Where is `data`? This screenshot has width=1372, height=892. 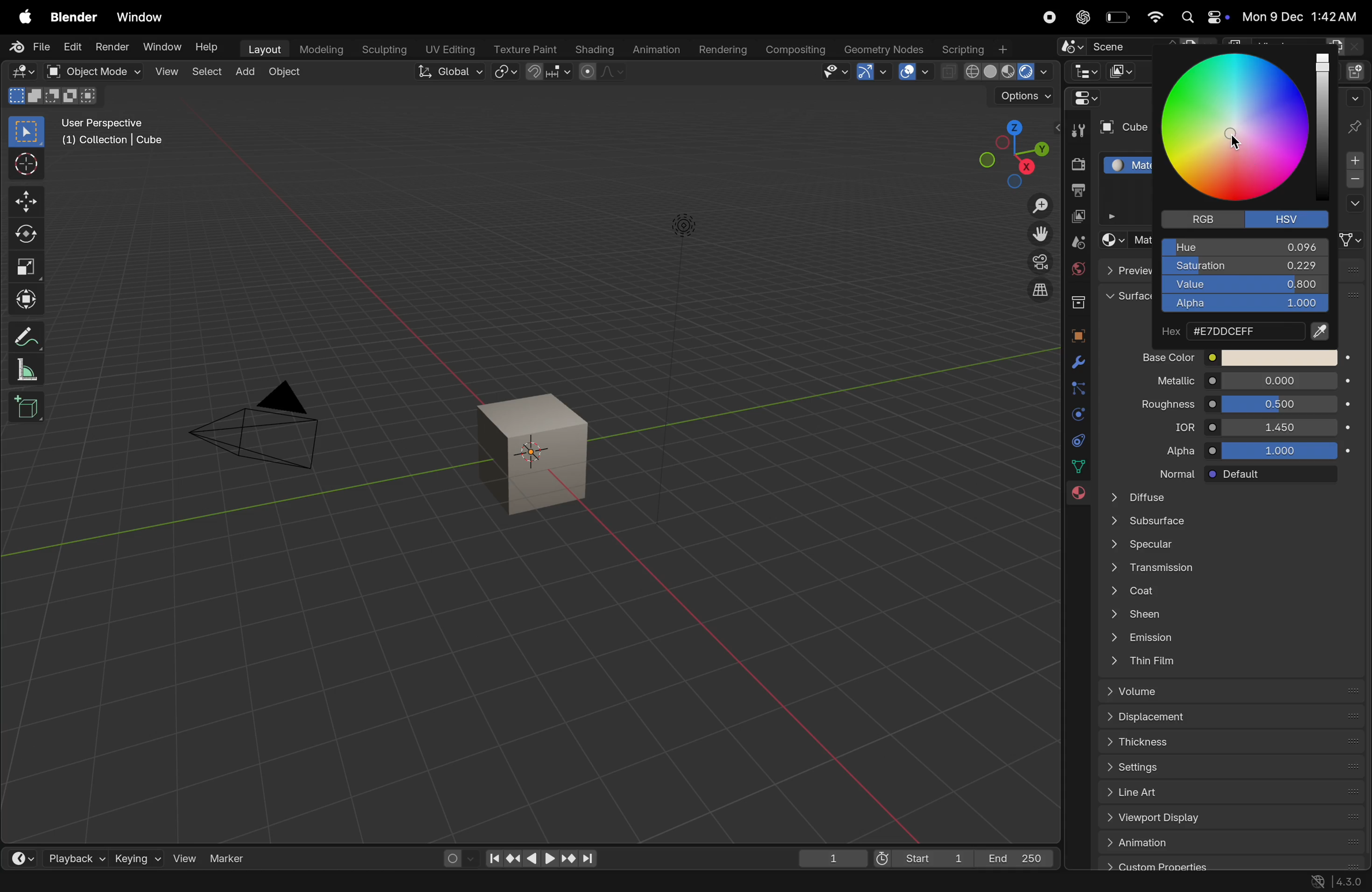
data is located at coordinates (1080, 466).